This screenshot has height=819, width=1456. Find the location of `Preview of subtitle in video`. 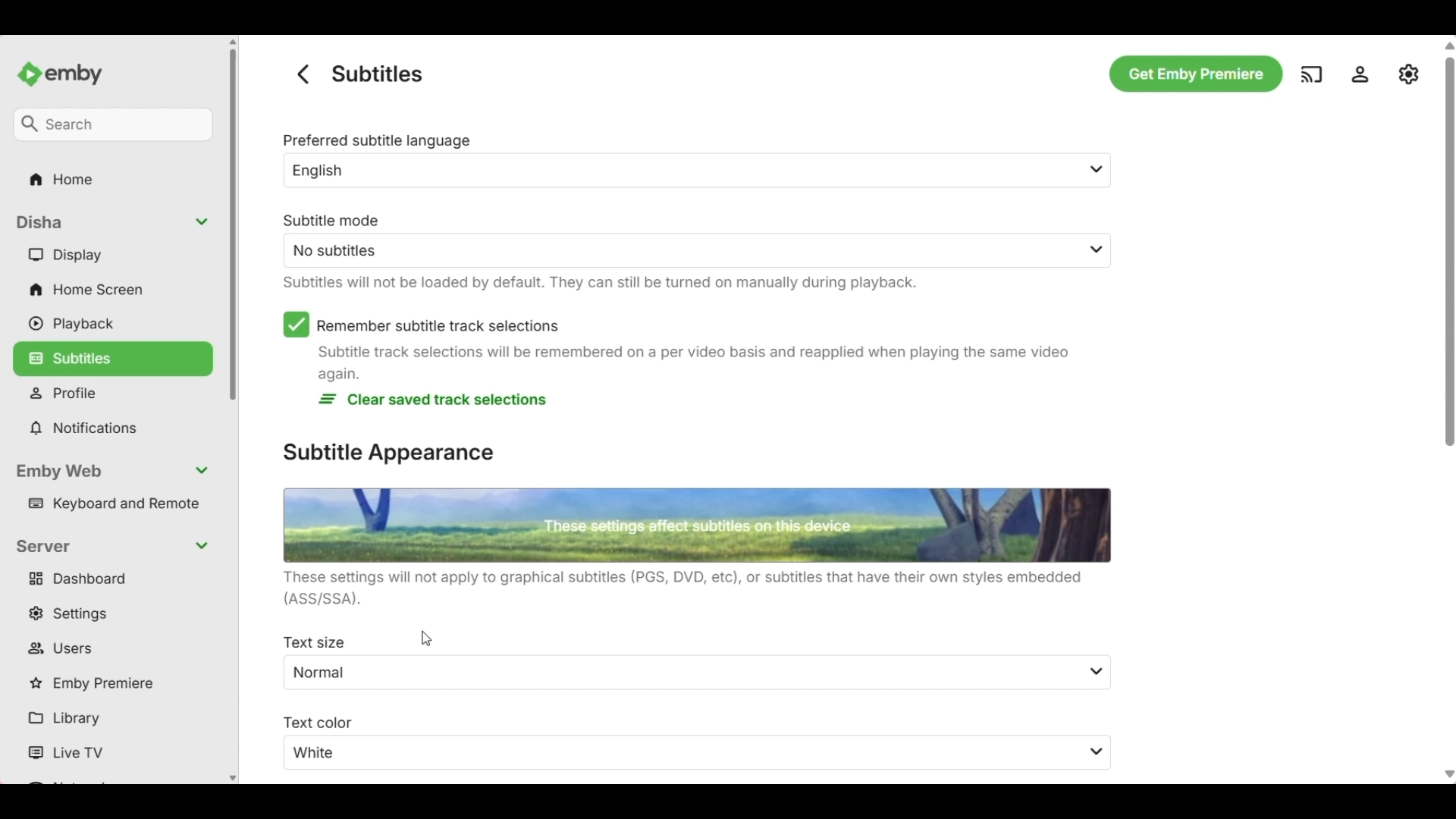

Preview of subtitle in video is located at coordinates (697, 526).